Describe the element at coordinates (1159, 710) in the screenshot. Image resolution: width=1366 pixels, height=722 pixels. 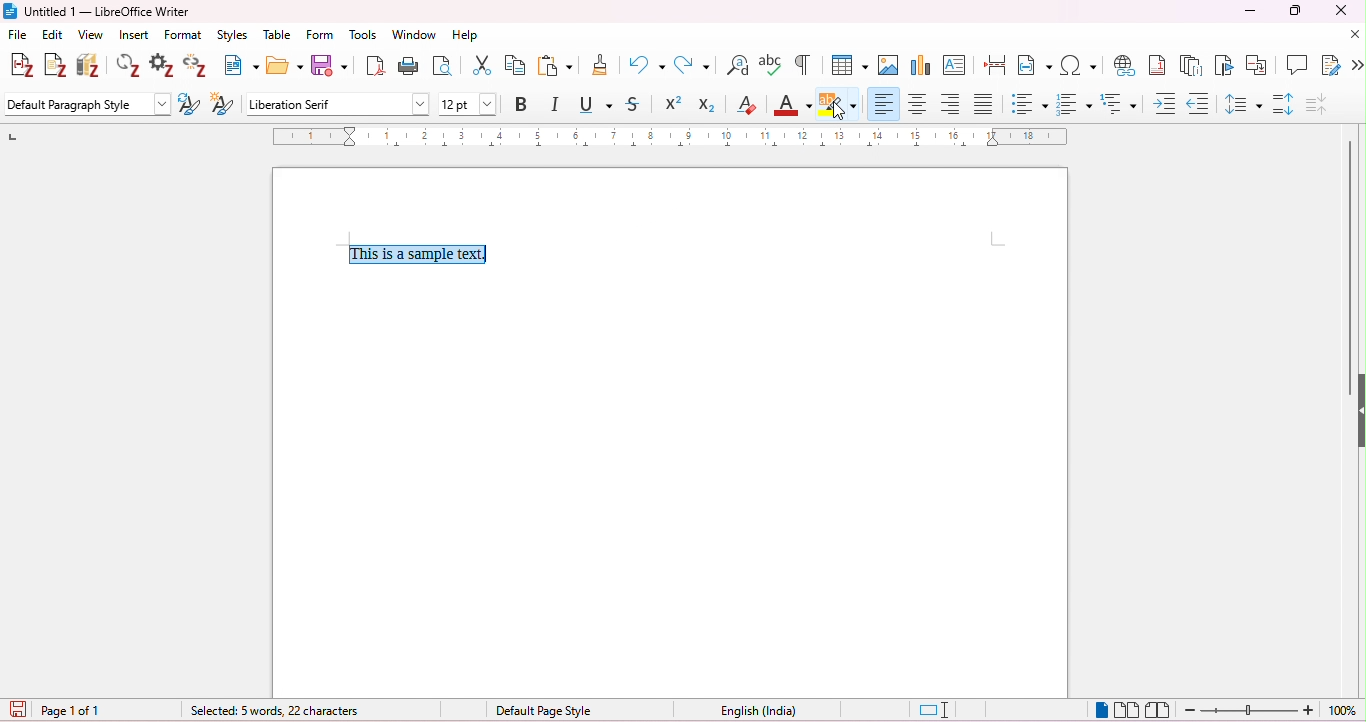
I see `book view` at that location.